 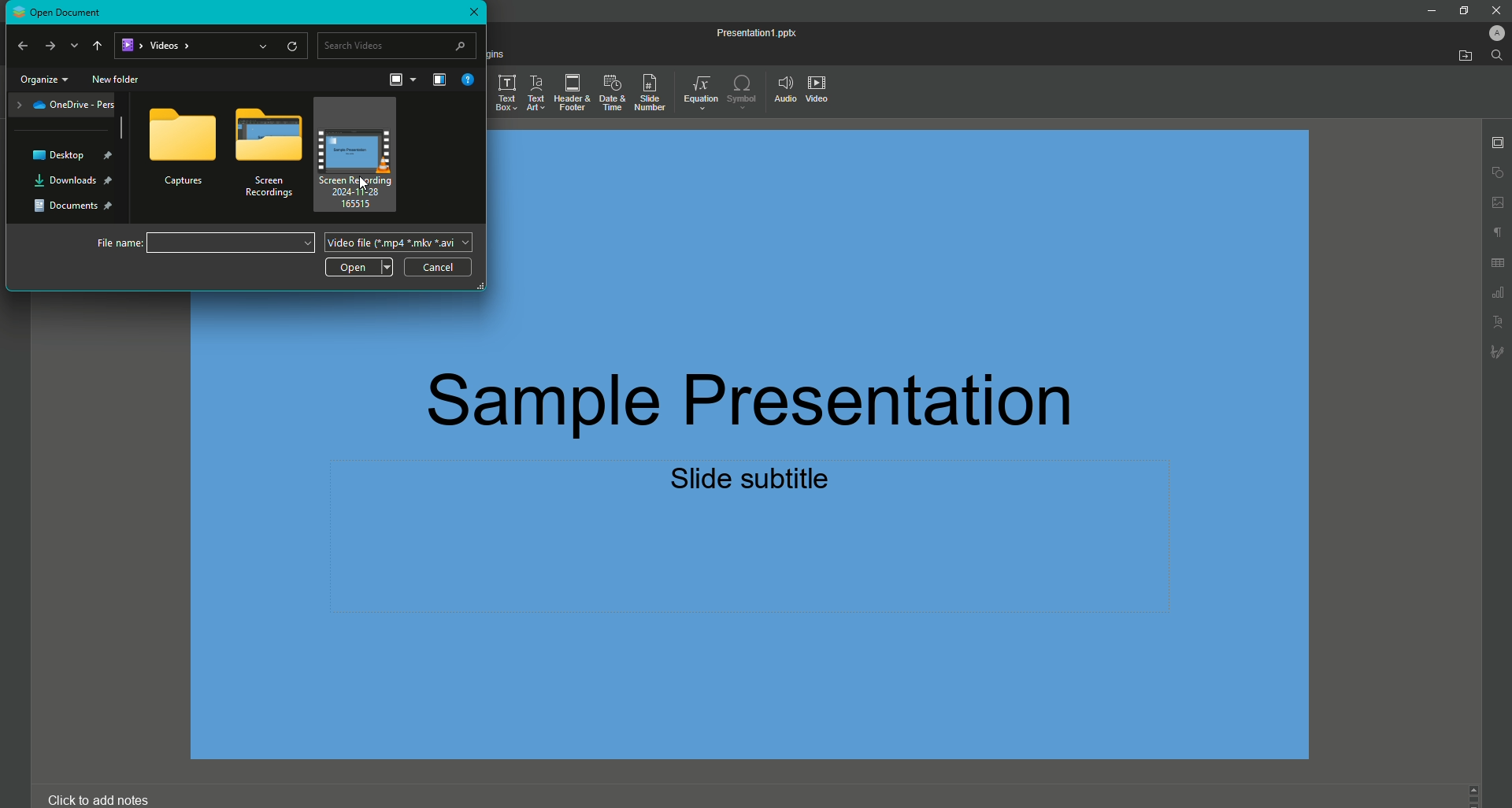 I want to click on Back, so click(x=28, y=43).